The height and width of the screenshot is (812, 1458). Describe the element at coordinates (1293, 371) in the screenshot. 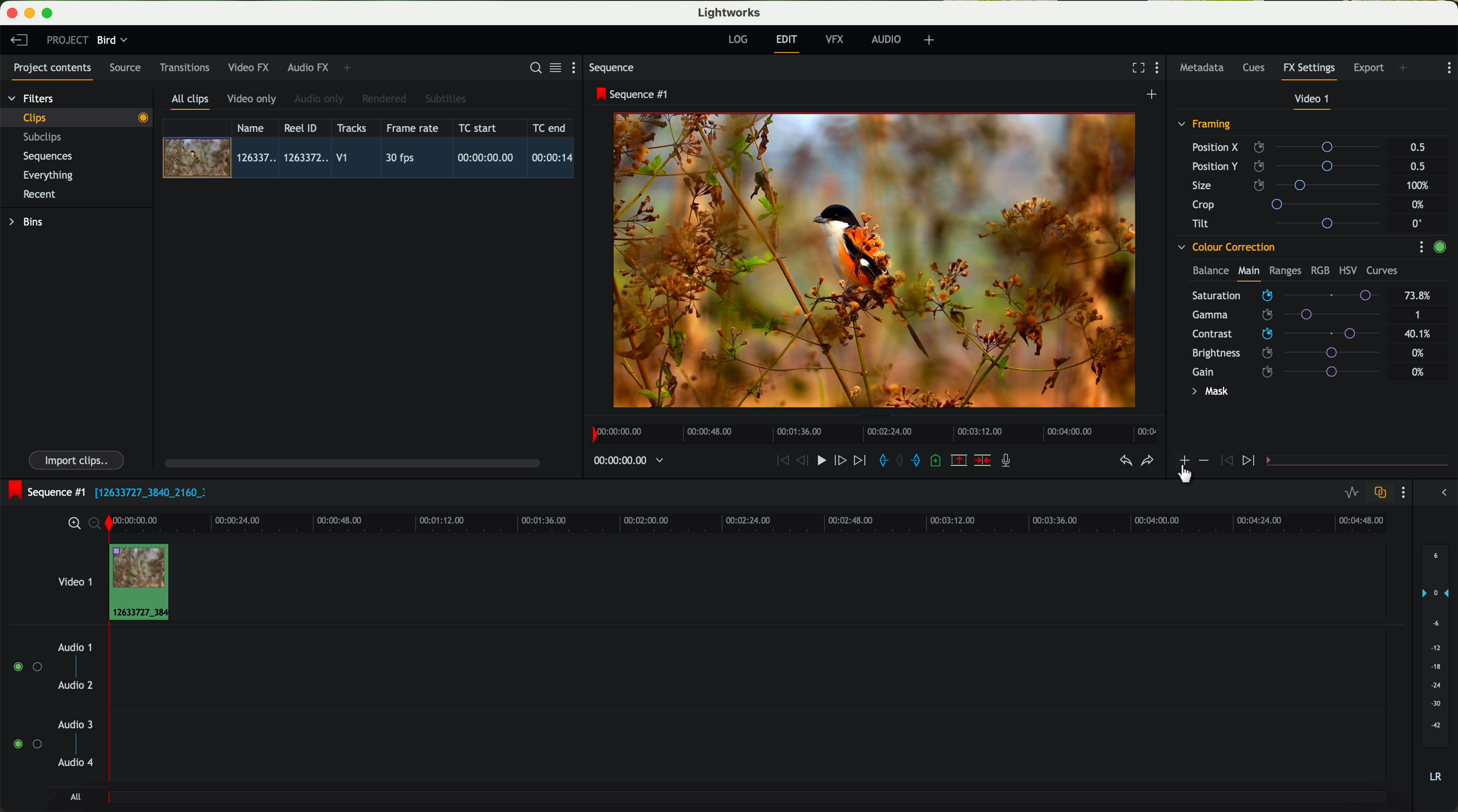

I see `gain` at that location.